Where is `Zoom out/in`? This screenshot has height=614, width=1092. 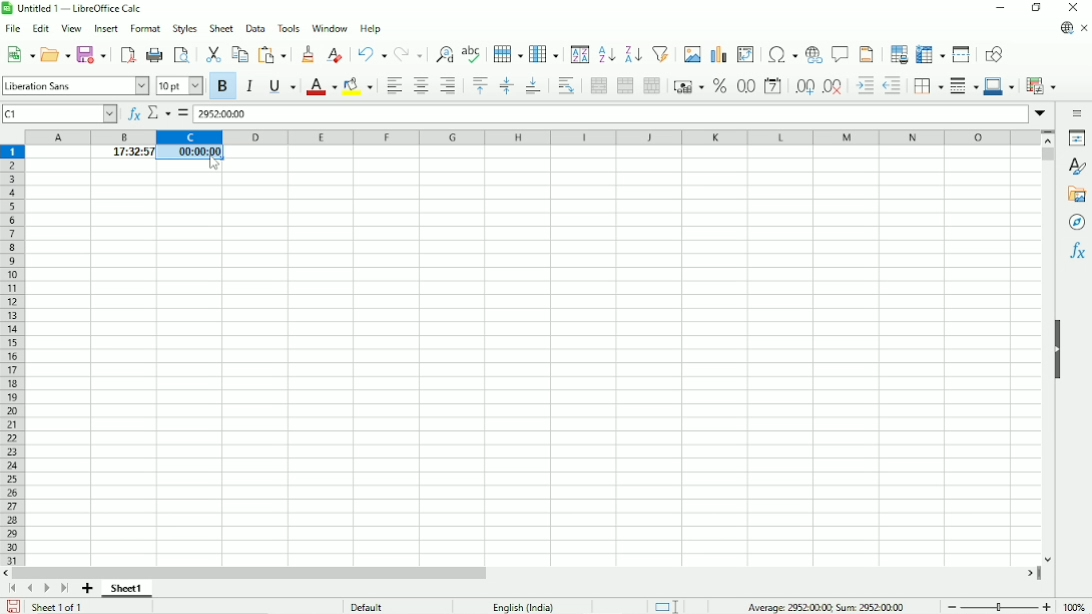
Zoom out/in is located at coordinates (998, 605).